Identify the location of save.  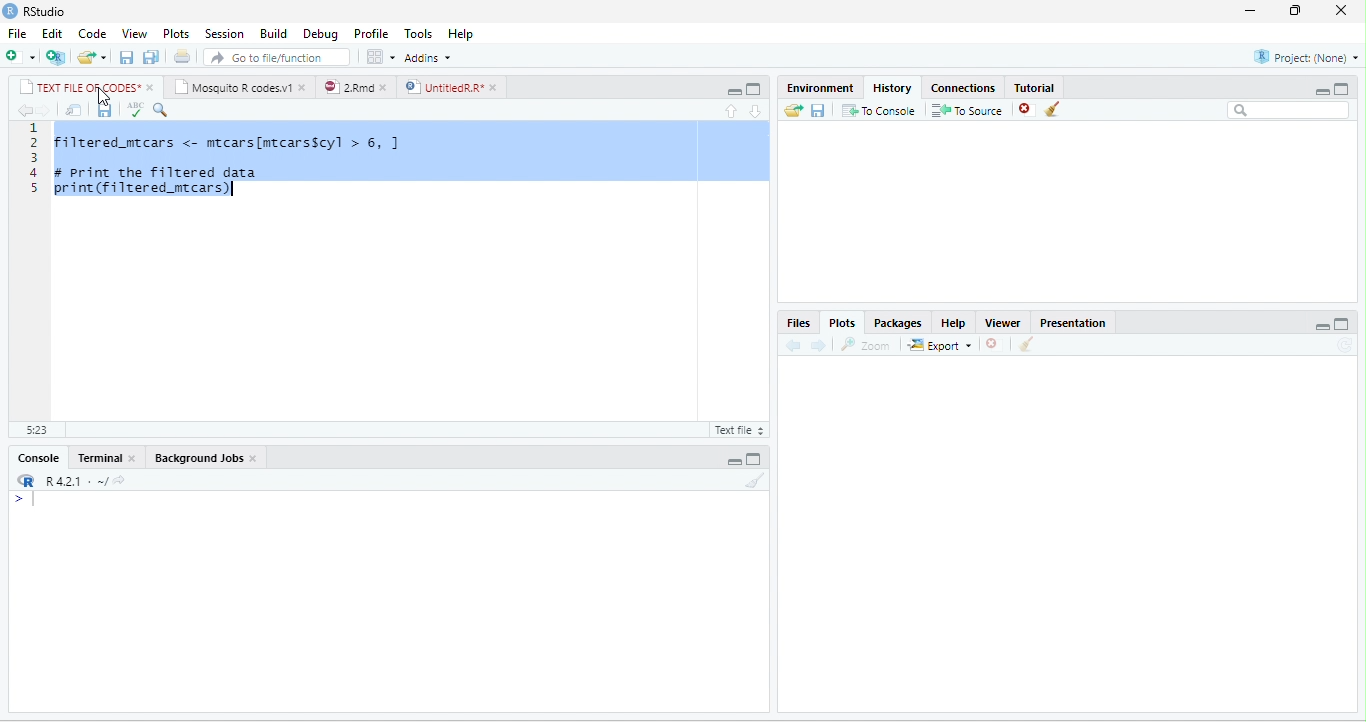
(126, 58).